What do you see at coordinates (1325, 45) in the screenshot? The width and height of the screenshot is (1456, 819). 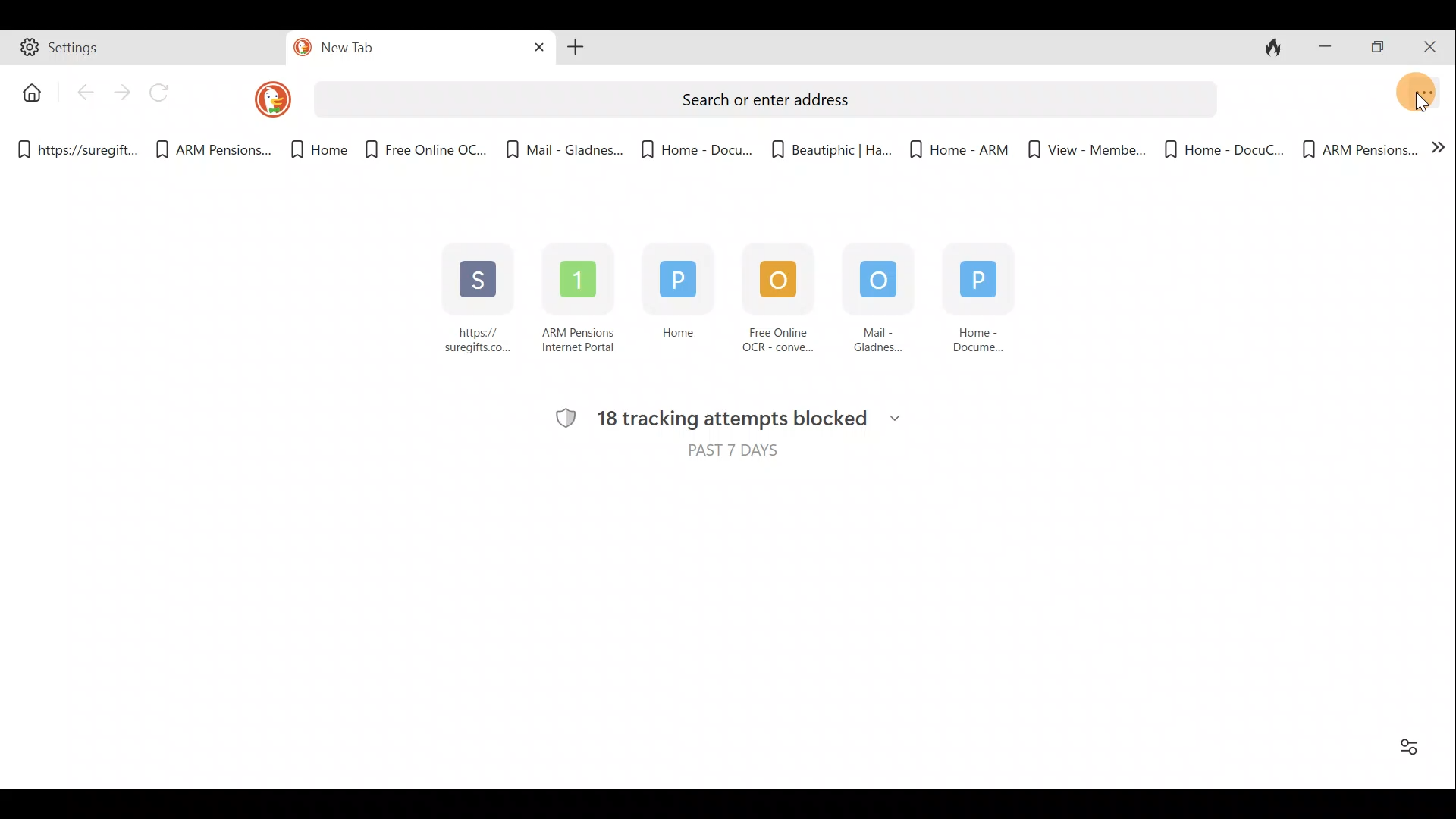 I see `Minimize` at bounding box center [1325, 45].